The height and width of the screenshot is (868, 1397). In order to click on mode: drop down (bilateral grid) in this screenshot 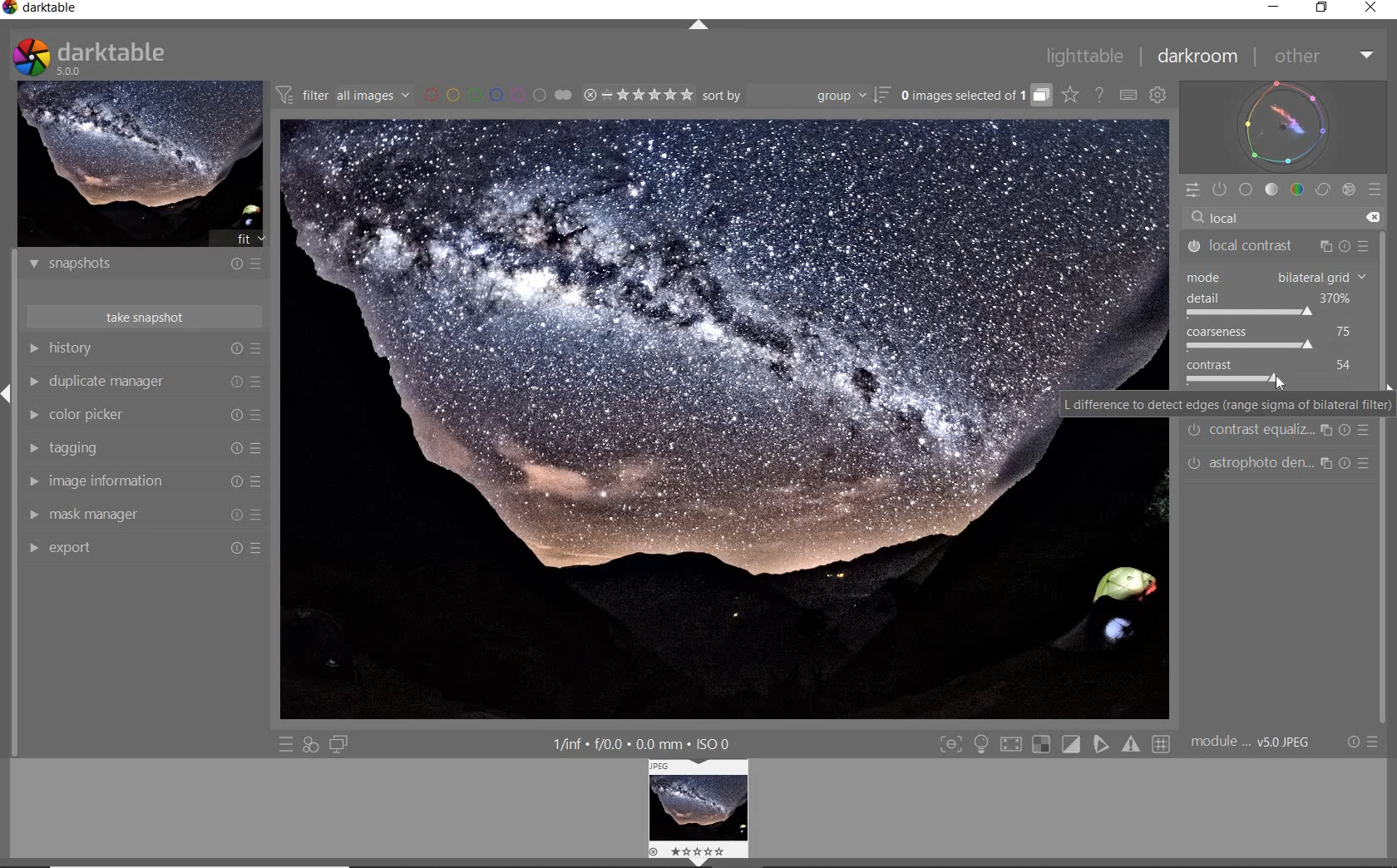, I will do `click(1273, 275)`.